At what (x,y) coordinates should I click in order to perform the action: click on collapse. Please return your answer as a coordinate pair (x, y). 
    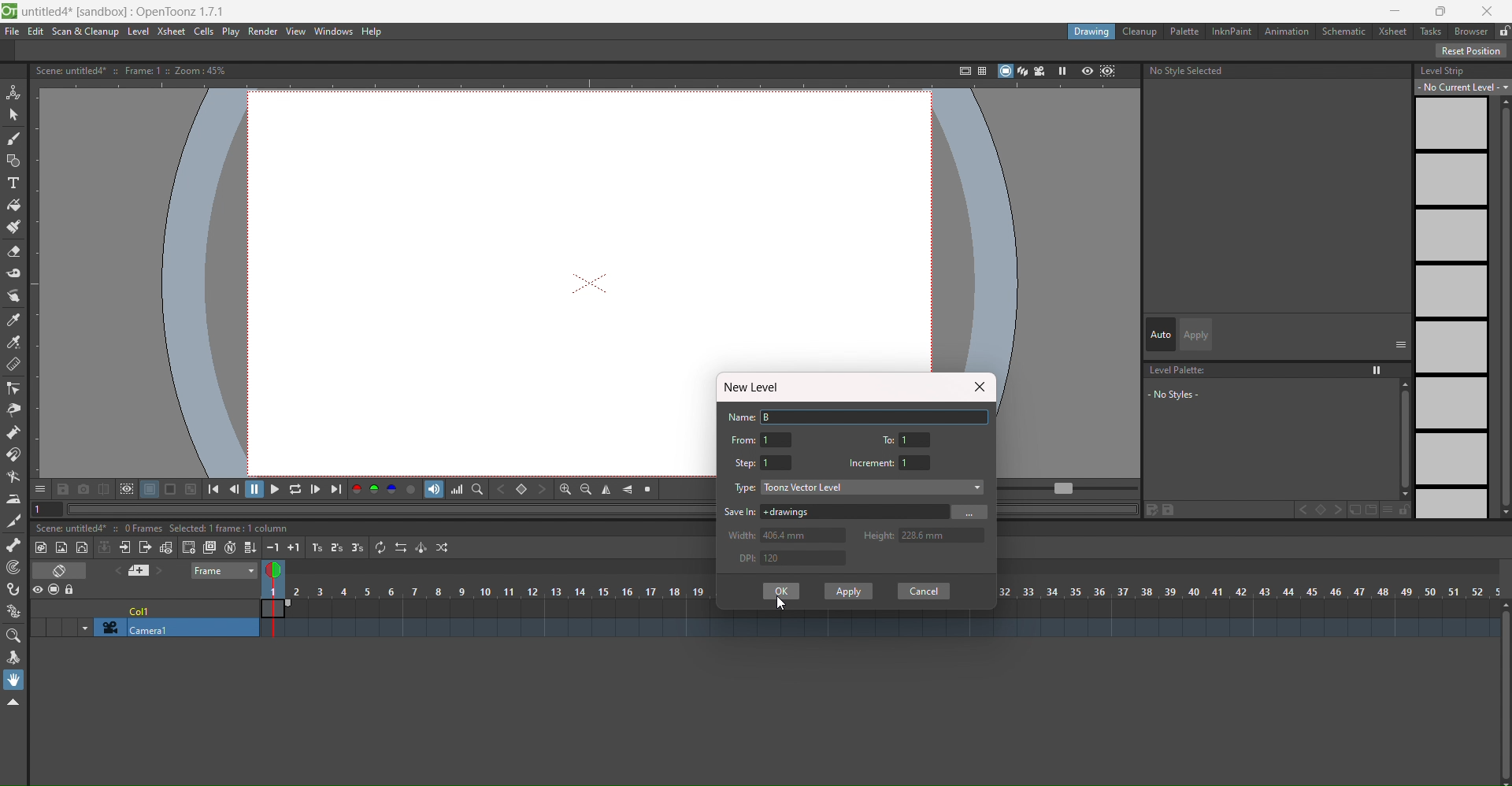
    Looking at the image, I should click on (105, 547).